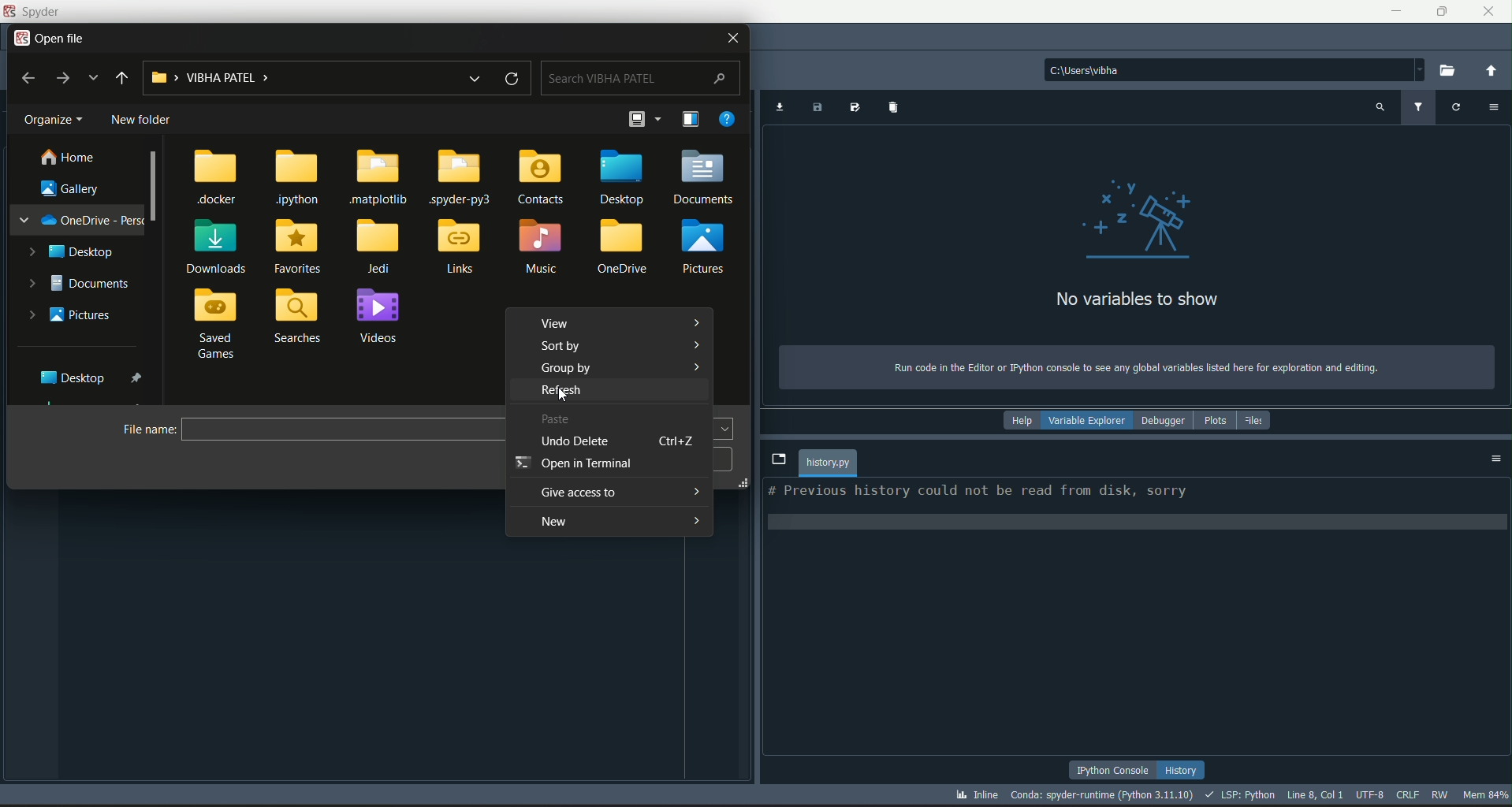 The height and width of the screenshot is (807, 1512). What do you see at coordinates (572, 443) in the screenshot?
I see `undo delete` at bounding box center [572, 443].